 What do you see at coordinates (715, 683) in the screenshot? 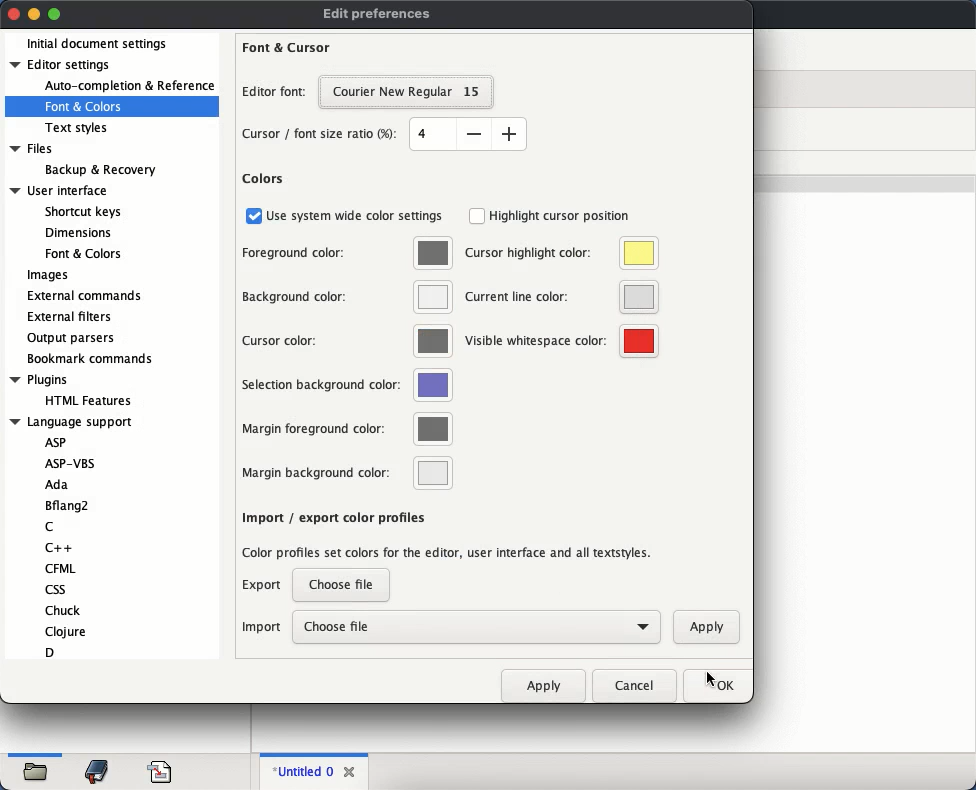
I see `ok` at bounding box center [715, 683].